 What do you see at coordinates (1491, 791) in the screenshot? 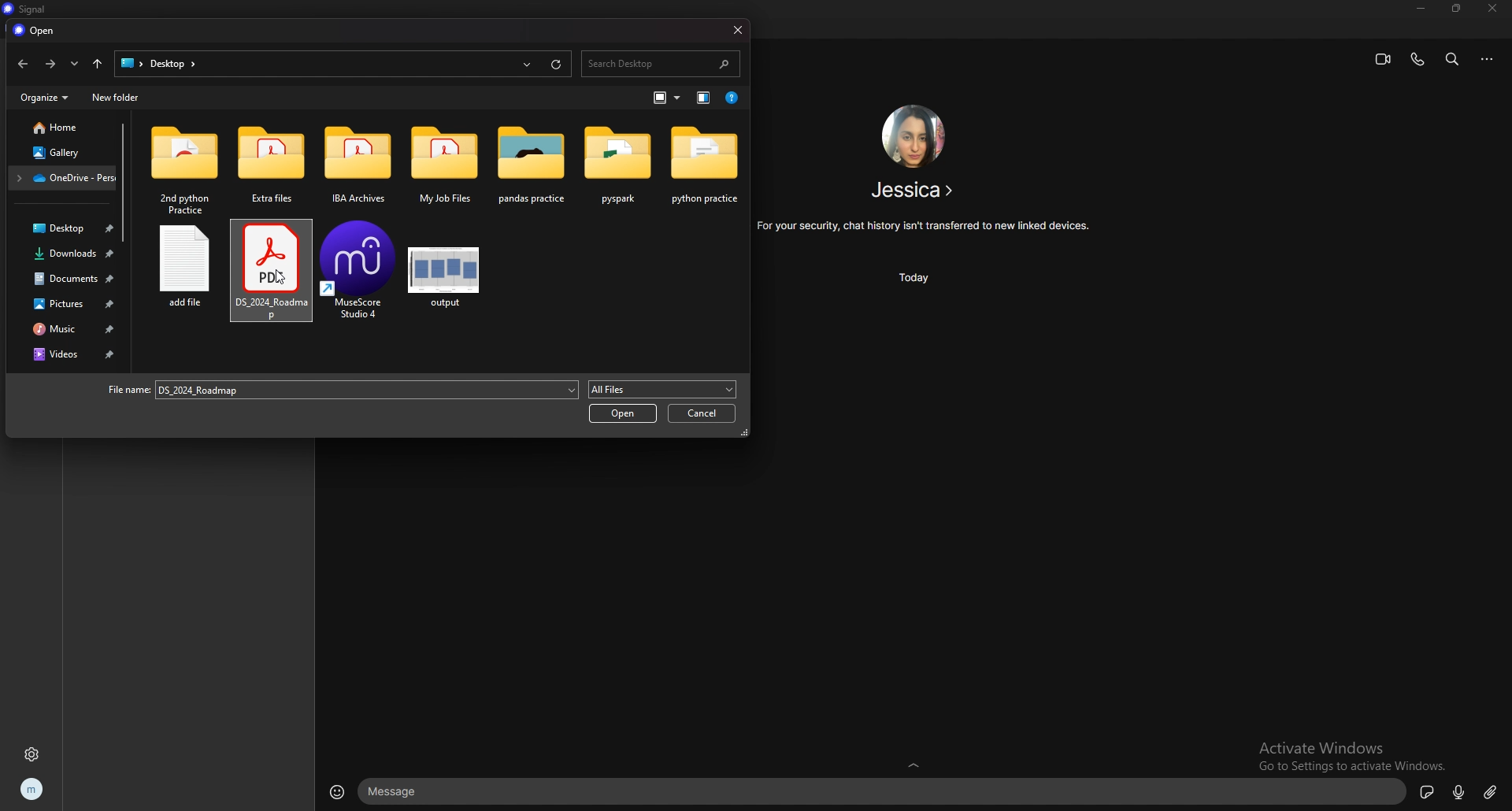
I see `attachment` at bounding box center [1491, 791].